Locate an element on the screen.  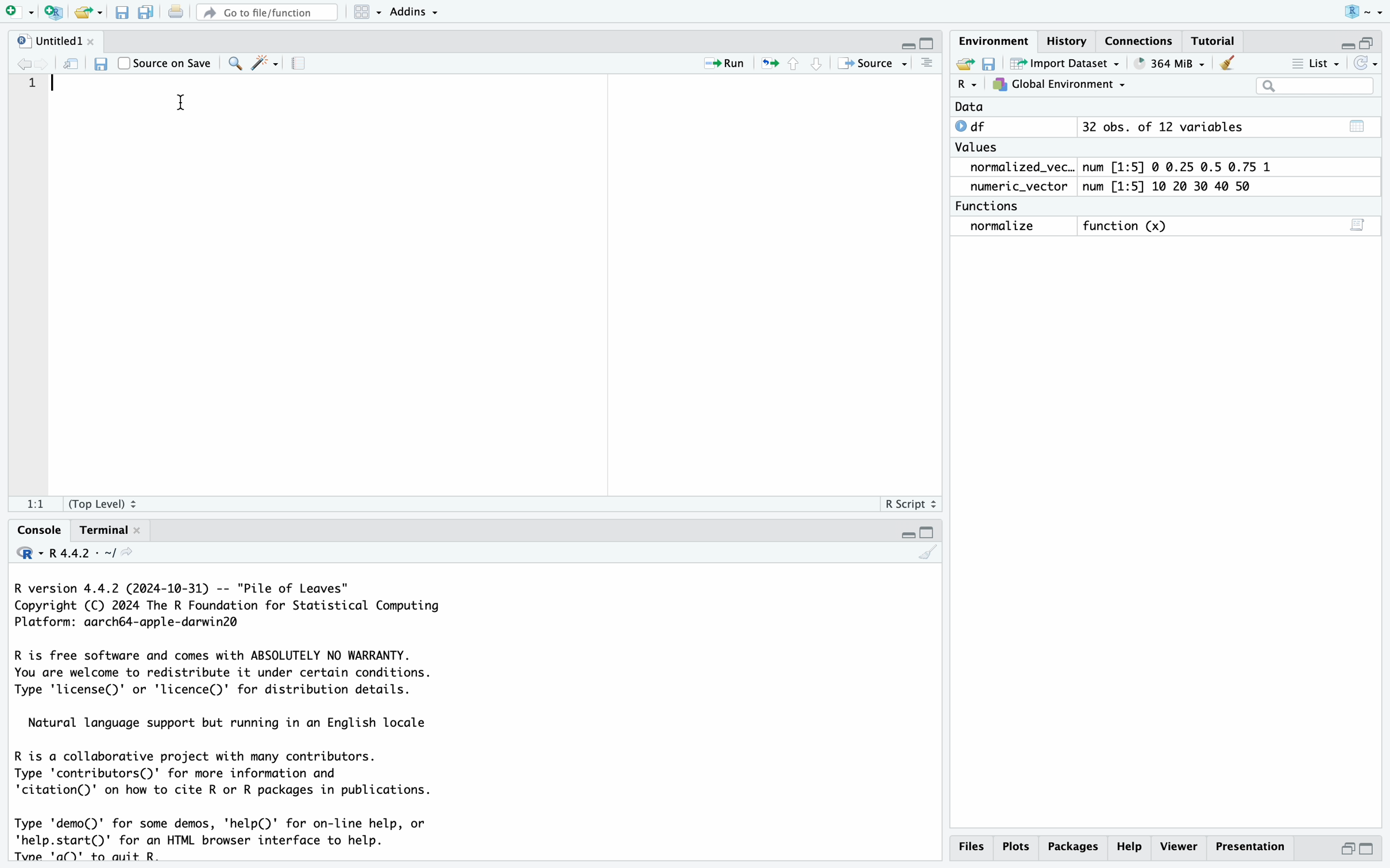
function (x) is located at coordinates (1129, 227).